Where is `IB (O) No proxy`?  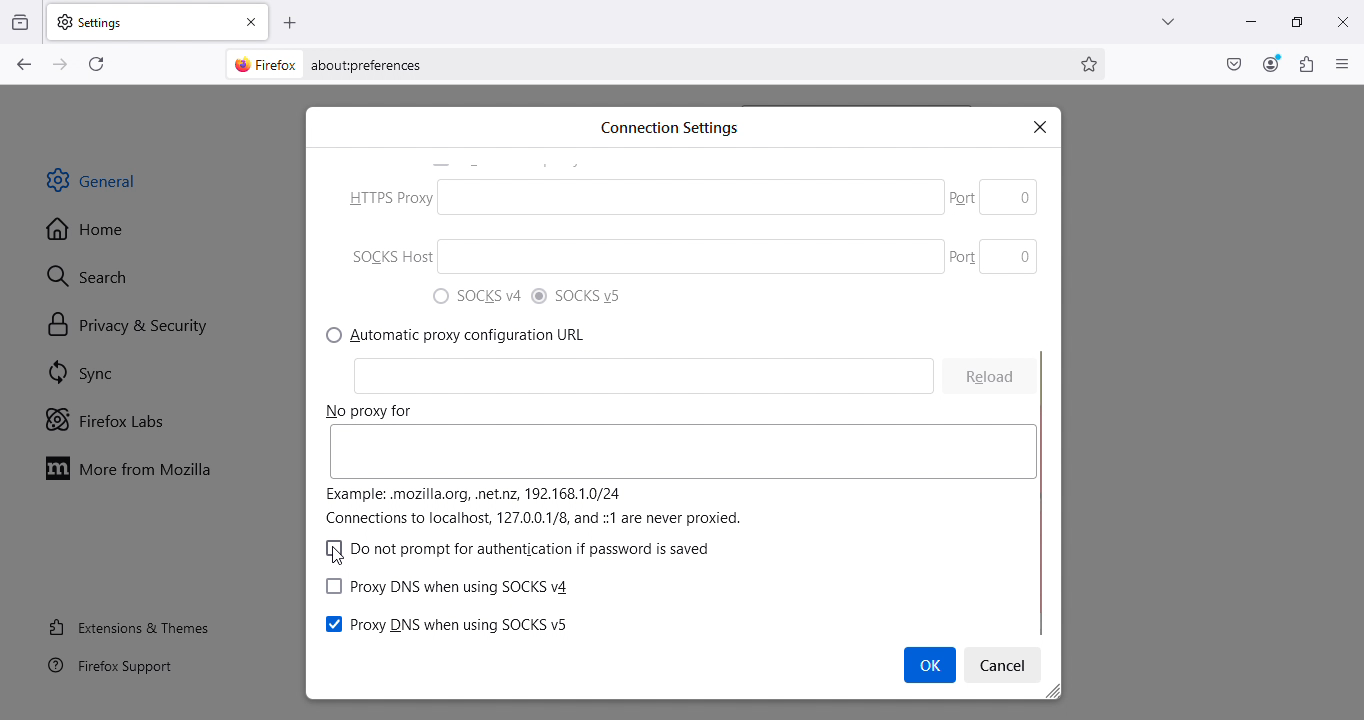
IB (O) No proxy is located at coordinates (635, 200).